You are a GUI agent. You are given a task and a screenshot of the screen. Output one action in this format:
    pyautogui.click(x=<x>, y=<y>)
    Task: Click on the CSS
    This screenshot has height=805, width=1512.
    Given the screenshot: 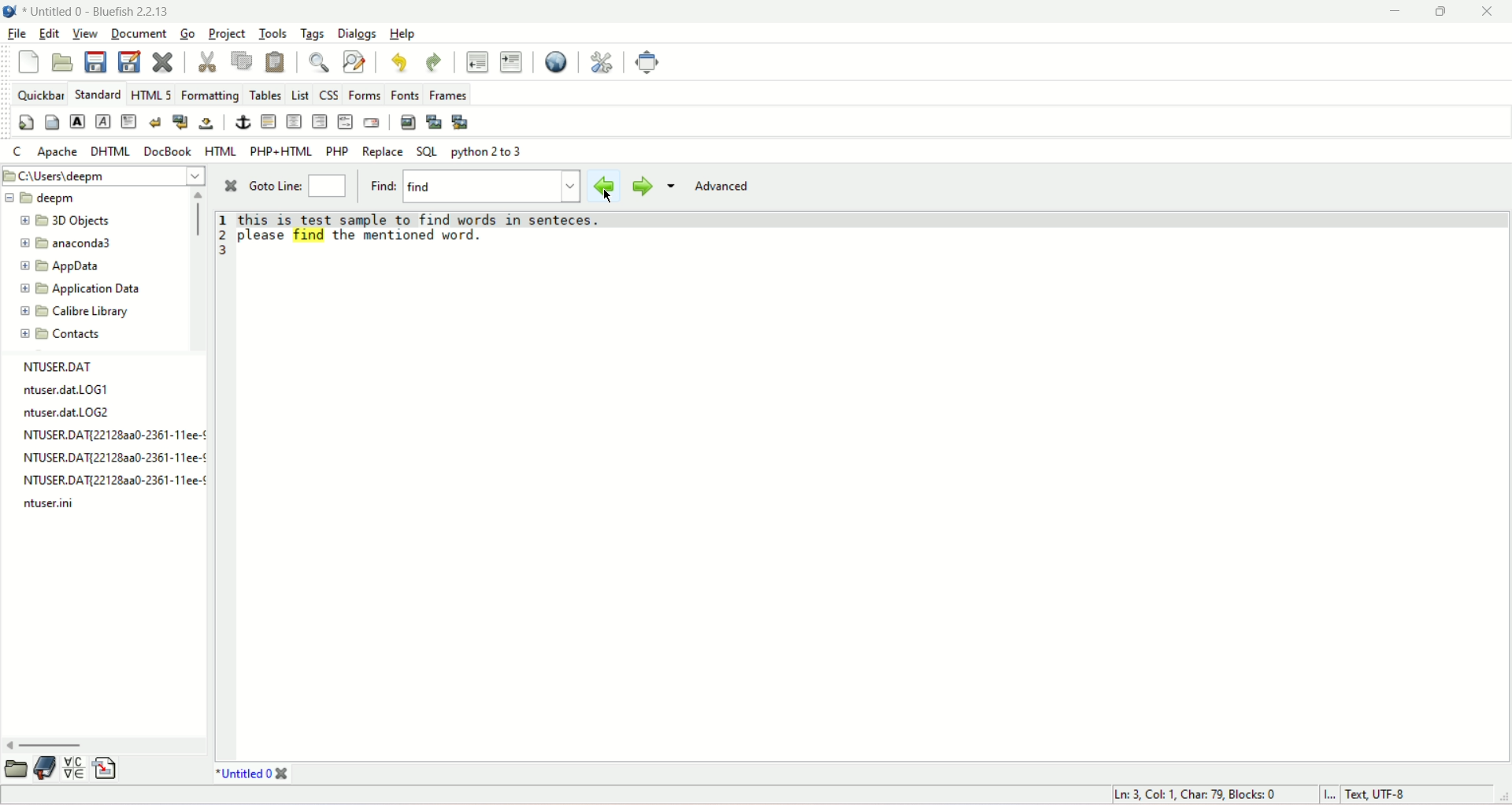 What is the action you would take?
    pyautogui.click(x=331, y=93)
    